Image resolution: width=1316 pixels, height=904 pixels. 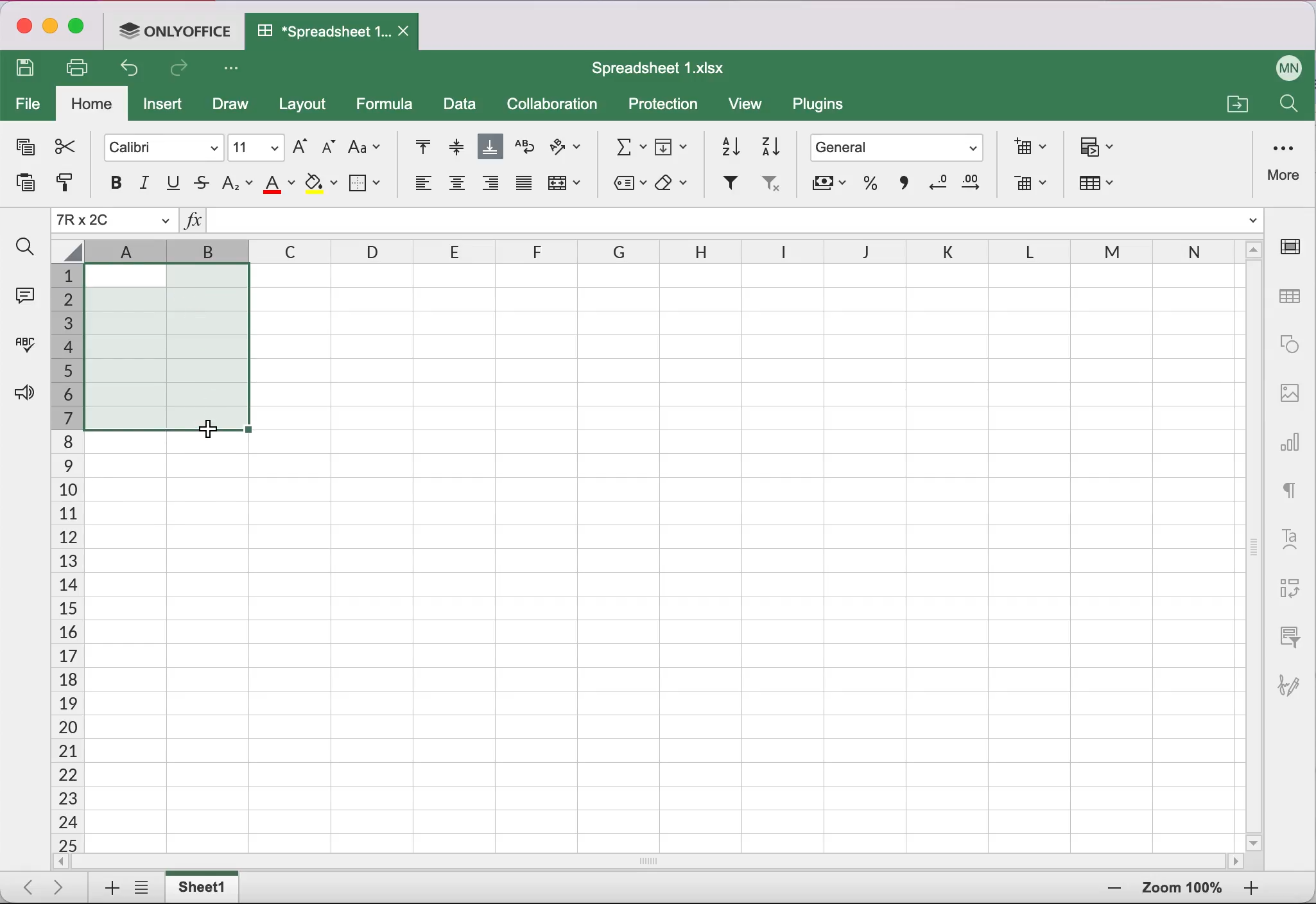 I want to click on file, so click(x=28, y=105).